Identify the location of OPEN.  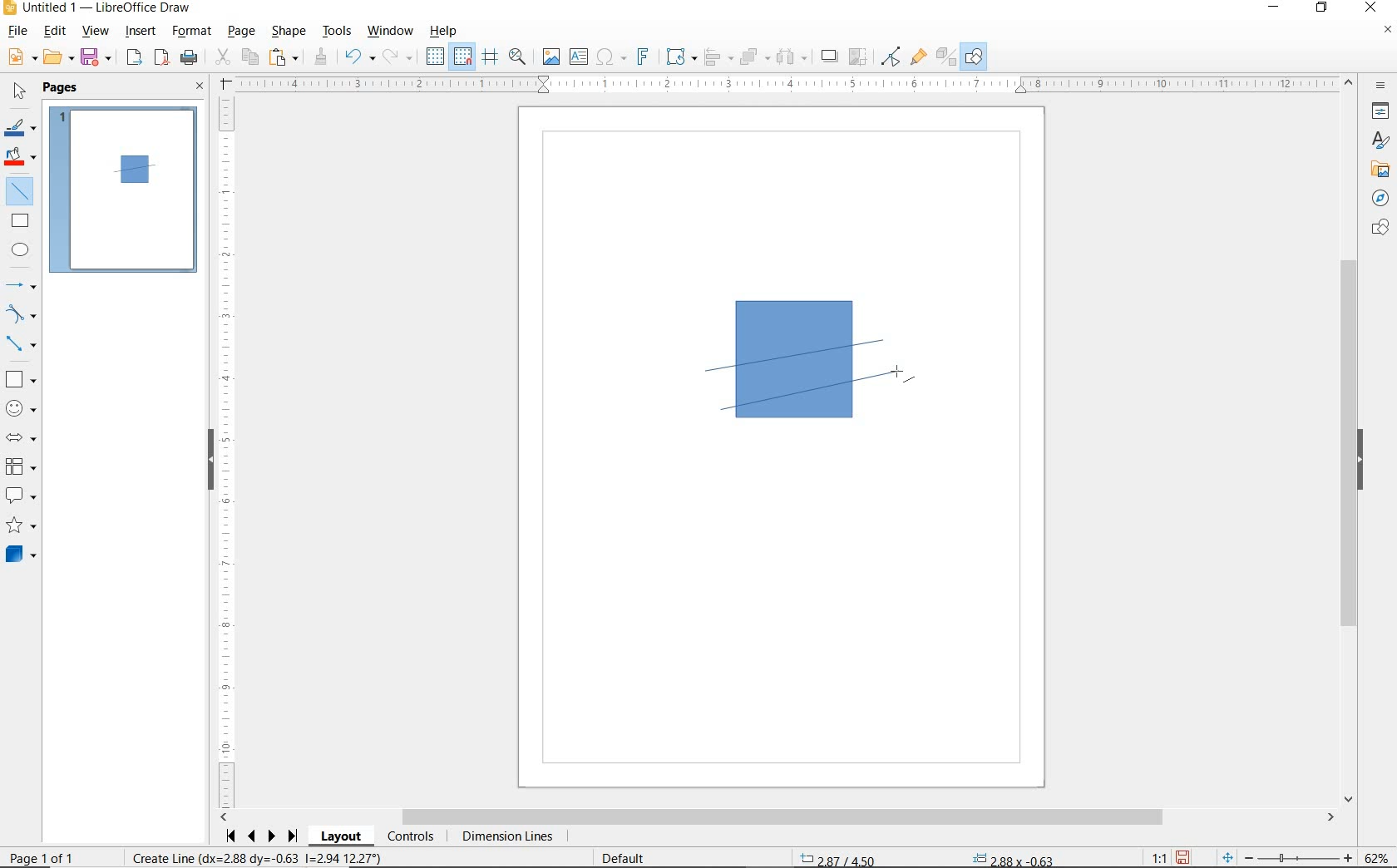
(59, 57).